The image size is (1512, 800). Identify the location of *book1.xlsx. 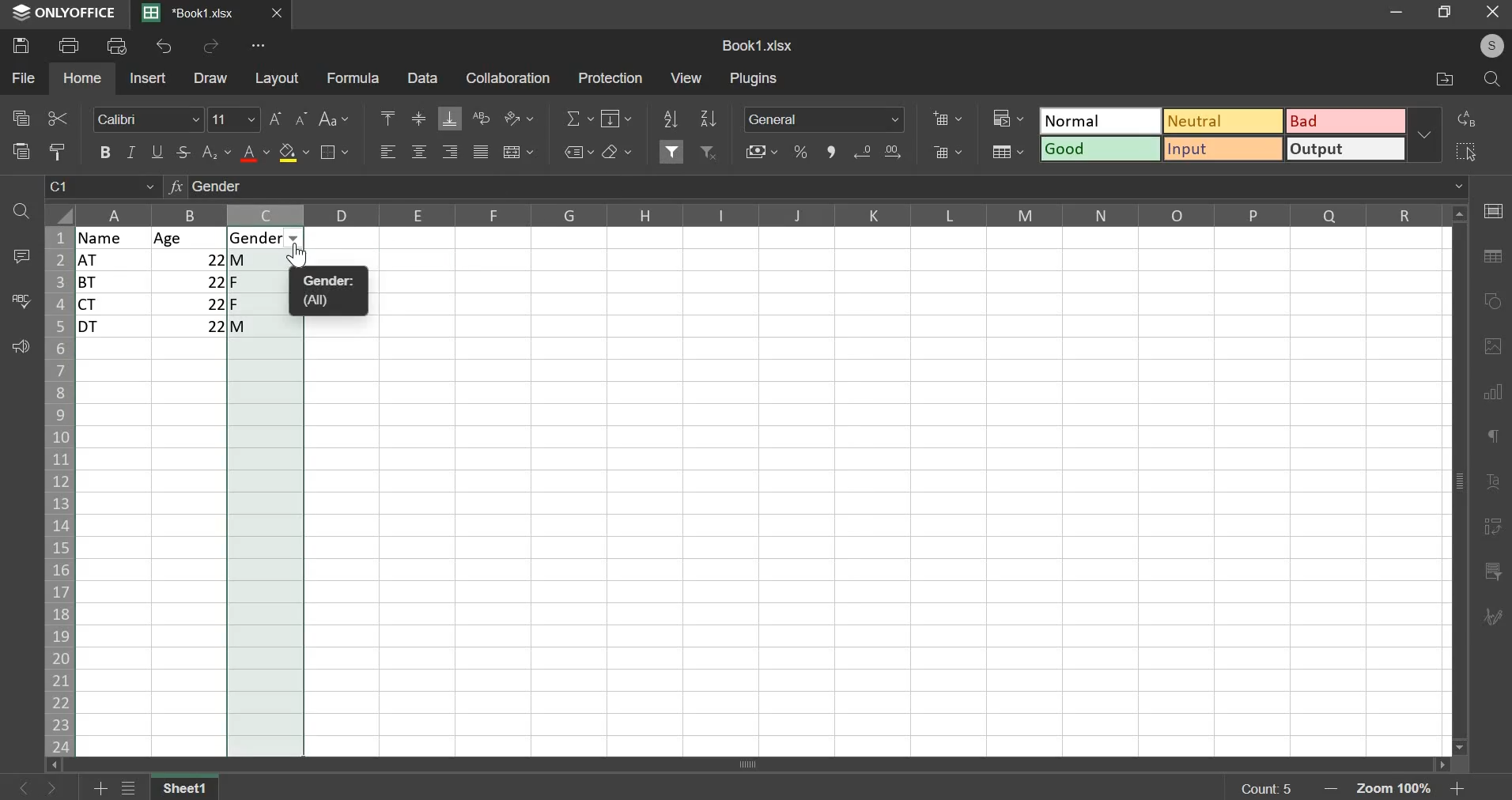
(191, 13).